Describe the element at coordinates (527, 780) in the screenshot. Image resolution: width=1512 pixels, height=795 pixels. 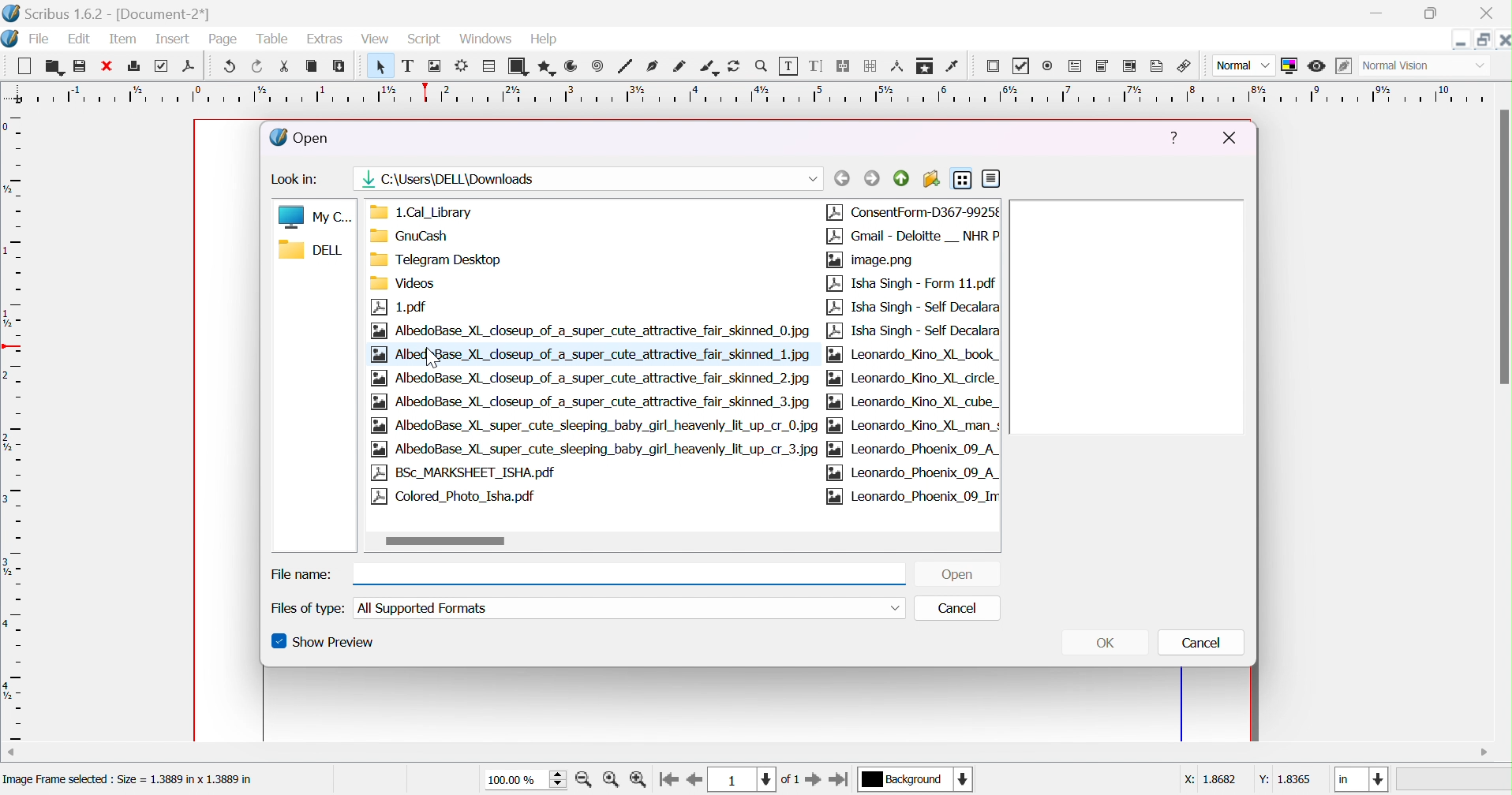
I see `100.00%` at that location.